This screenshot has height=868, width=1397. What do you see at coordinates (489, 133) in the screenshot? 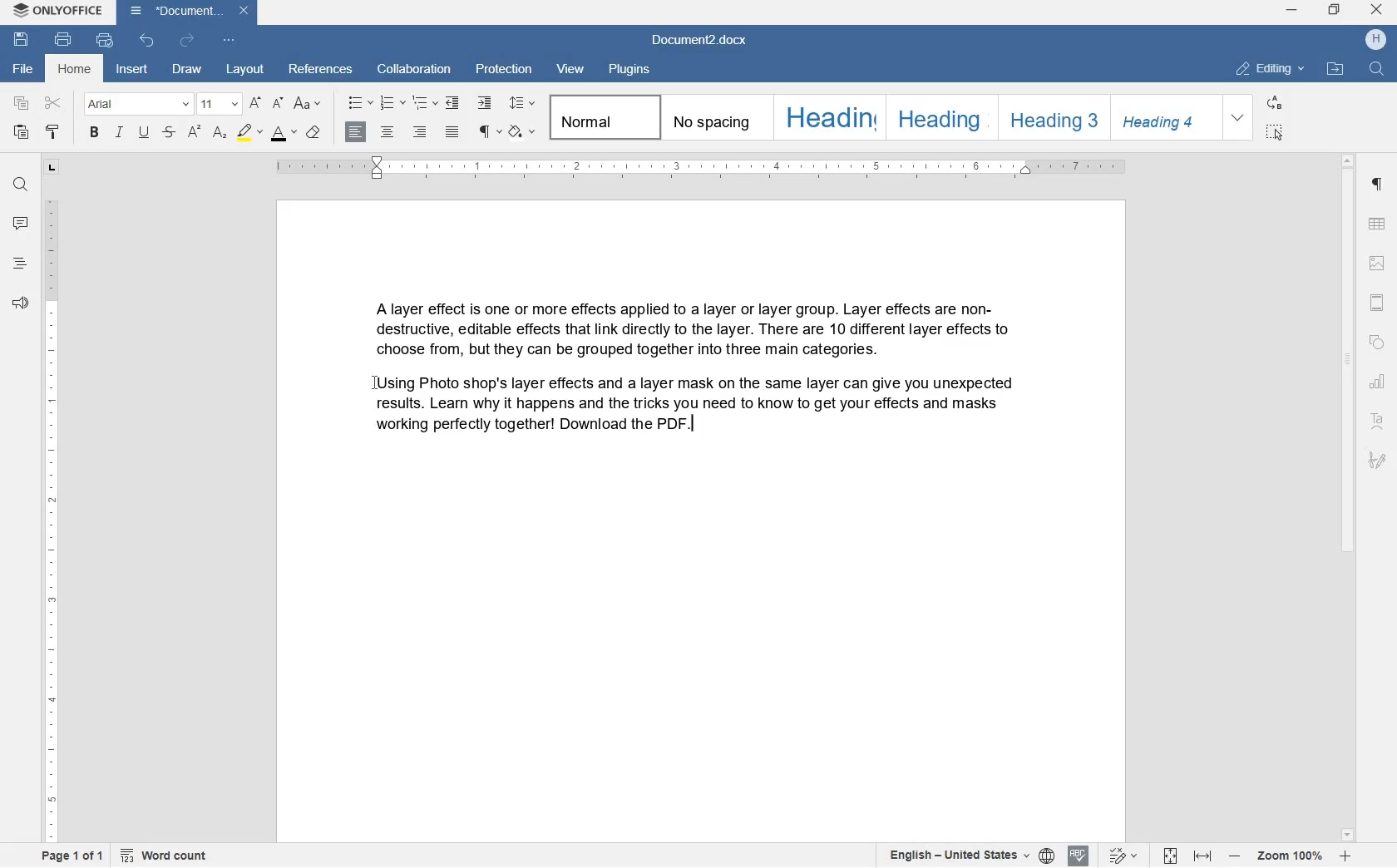
I see `PARAGRAPH SETTINGS` at bounding box center [489, 133].